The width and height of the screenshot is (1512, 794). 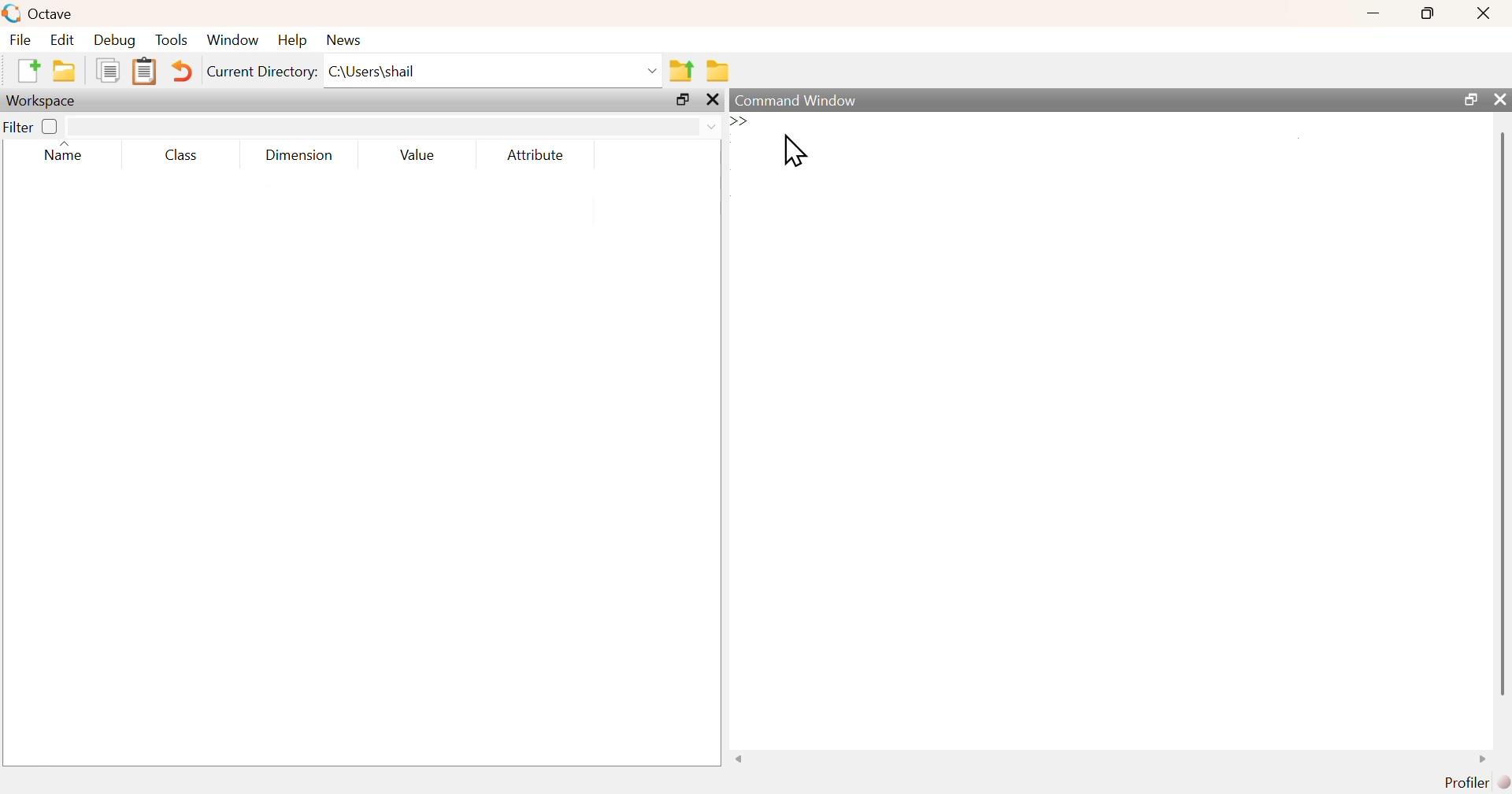 I want to click on Dimension, so click(x=295, y=155).